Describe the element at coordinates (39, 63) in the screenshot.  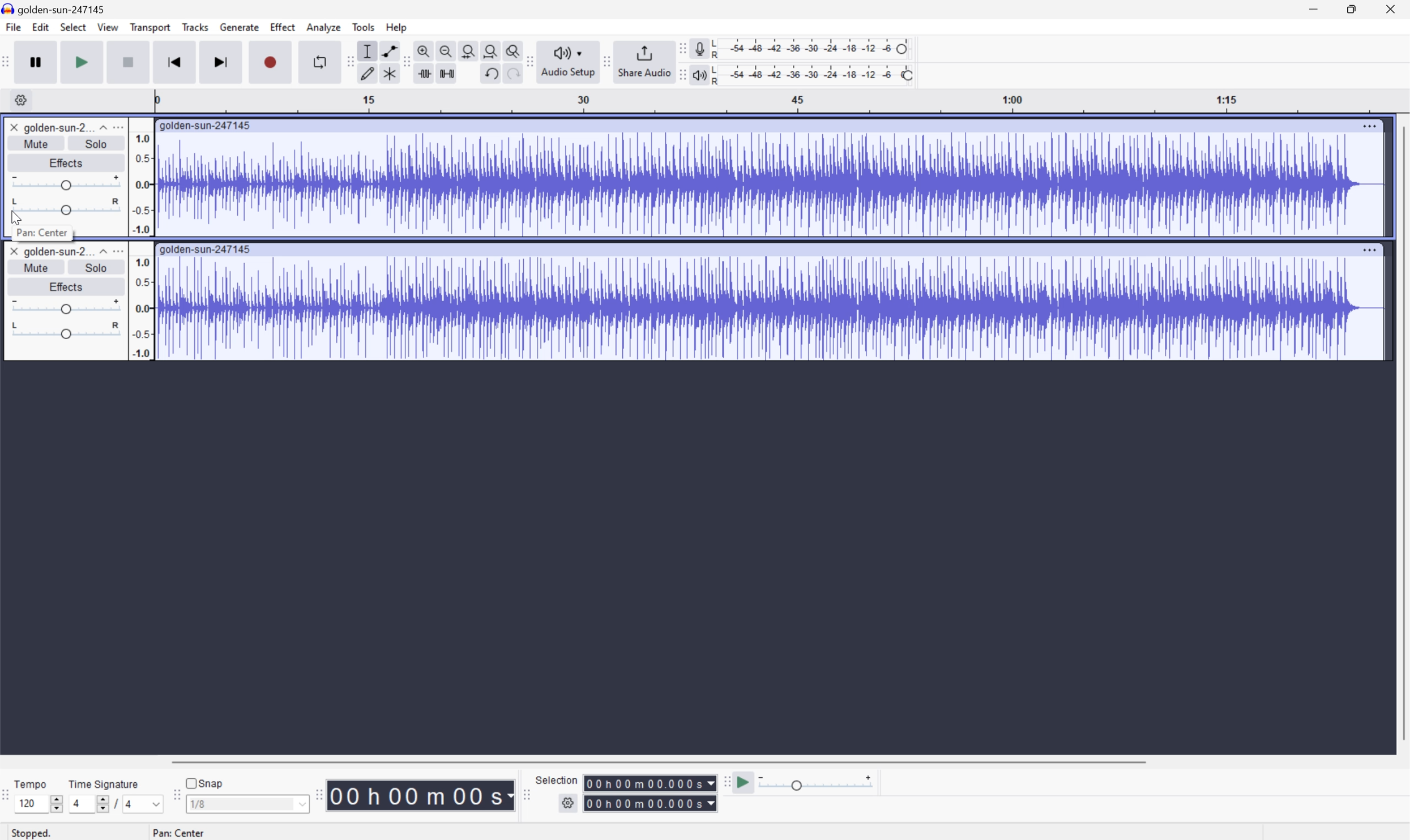
I see `Pause` at that location.